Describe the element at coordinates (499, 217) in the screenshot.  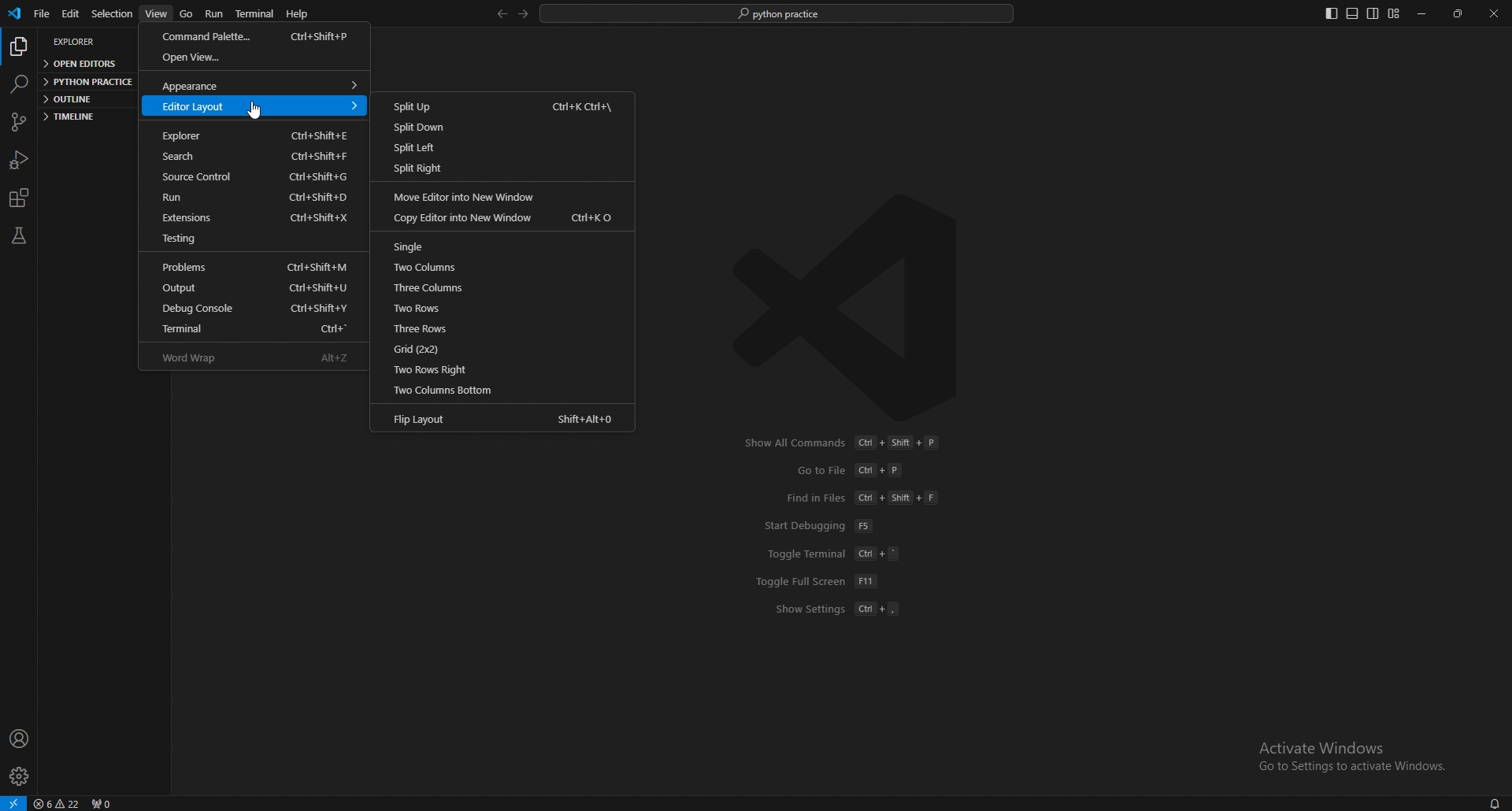
I see `copy editor into new window ctrl+k o` at that location.